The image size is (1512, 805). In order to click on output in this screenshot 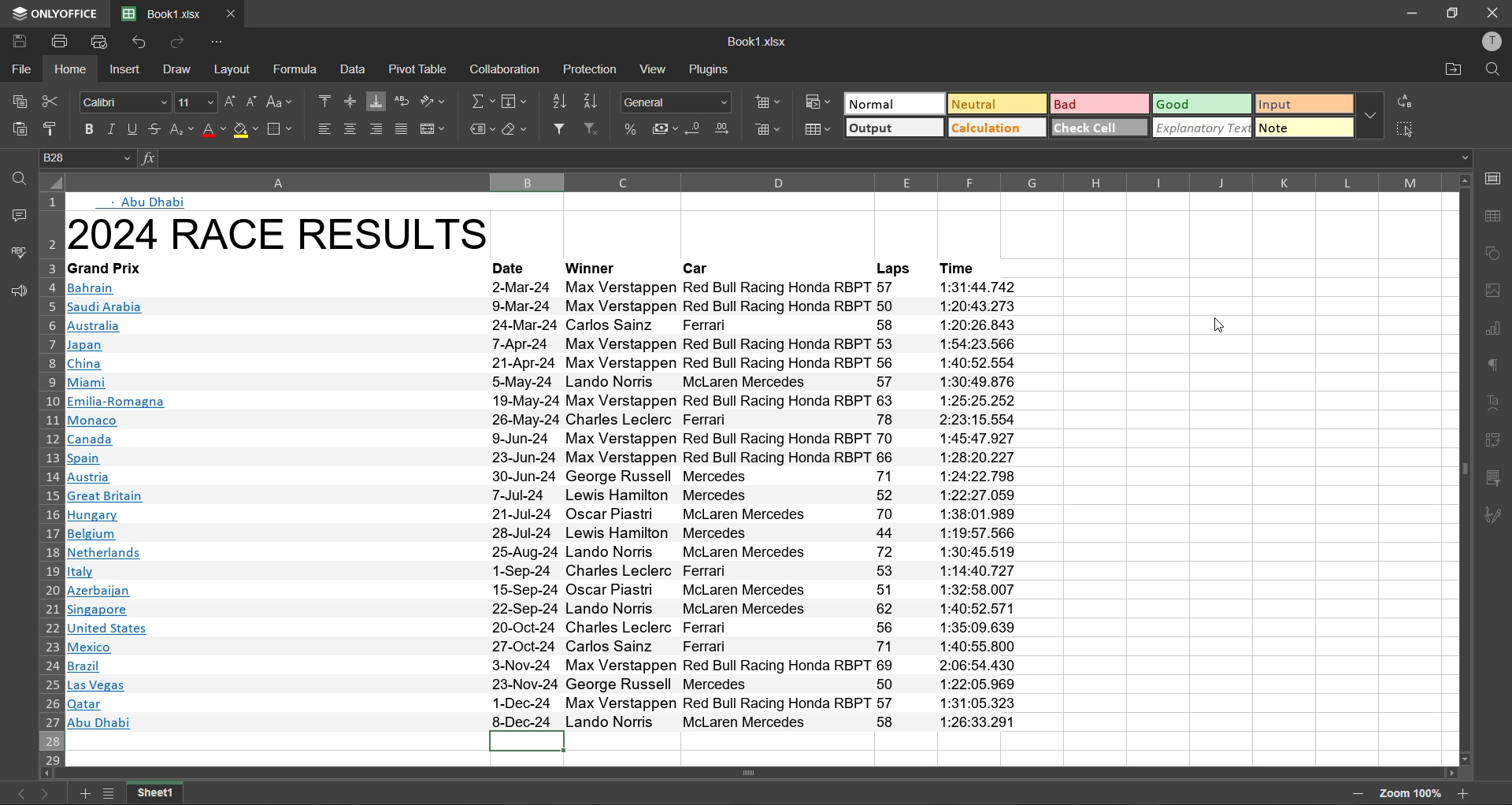, I will do `click(894, 128)`.